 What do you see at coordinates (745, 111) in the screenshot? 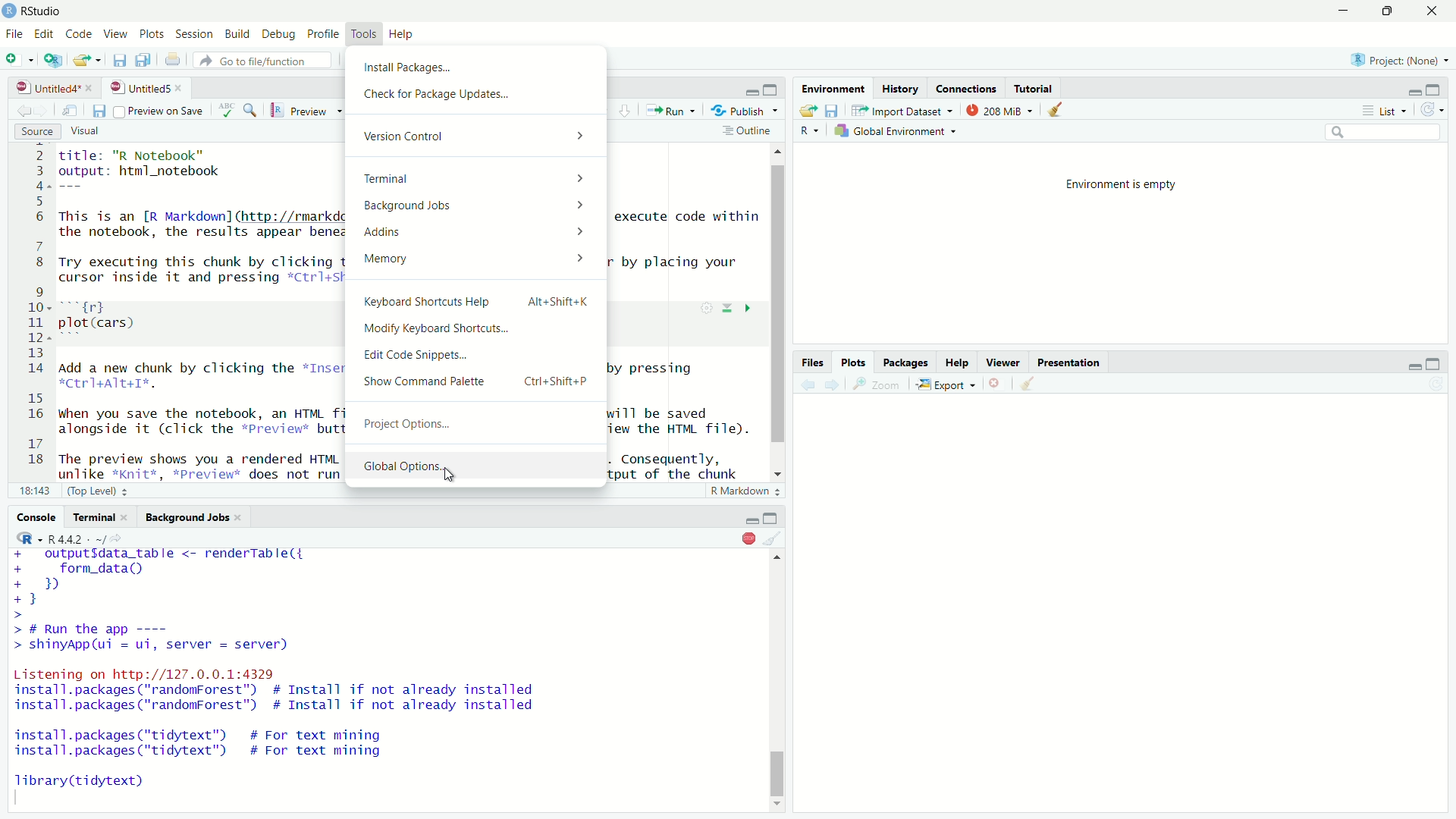
I see `Publish` at bounding box center [745, 111].